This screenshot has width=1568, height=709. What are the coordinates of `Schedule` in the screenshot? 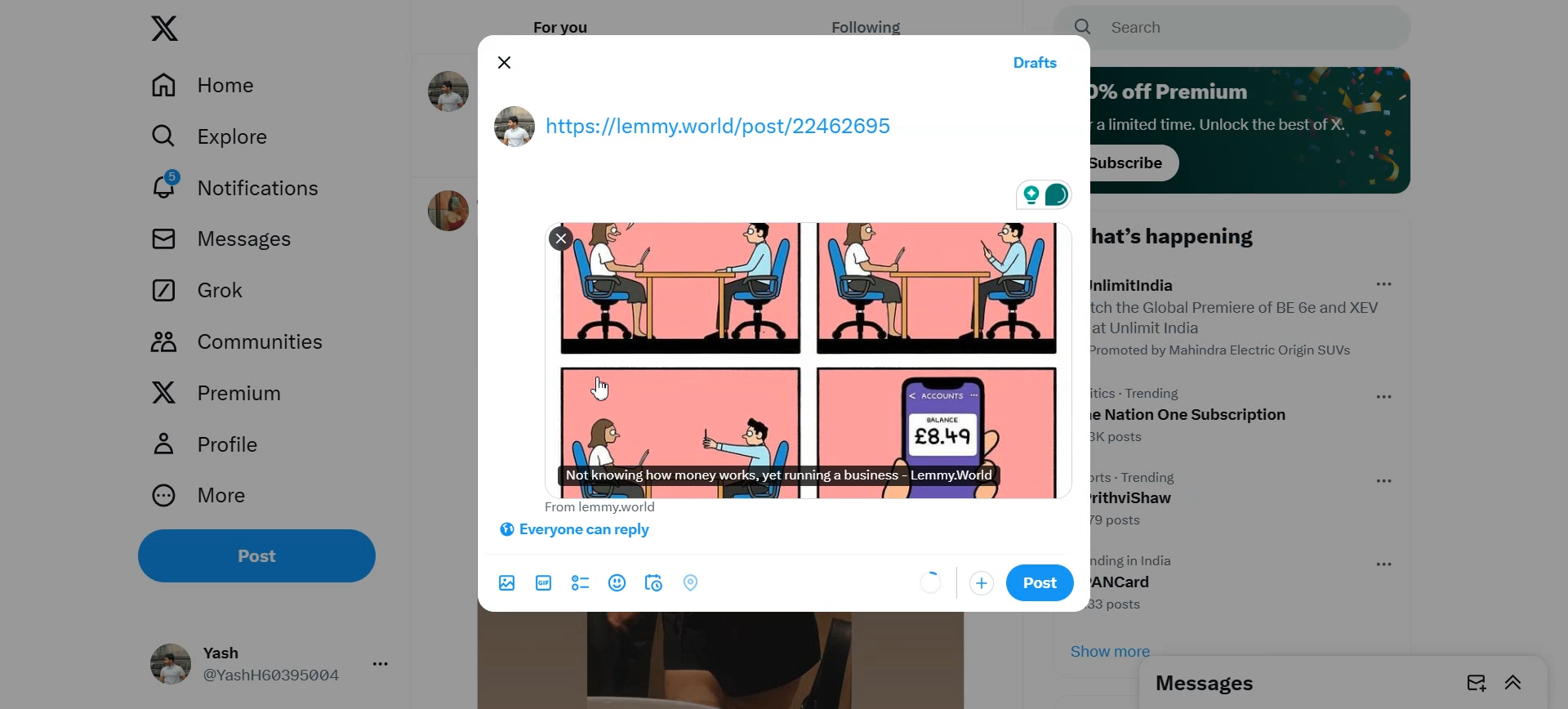 It's located at (652, 582).